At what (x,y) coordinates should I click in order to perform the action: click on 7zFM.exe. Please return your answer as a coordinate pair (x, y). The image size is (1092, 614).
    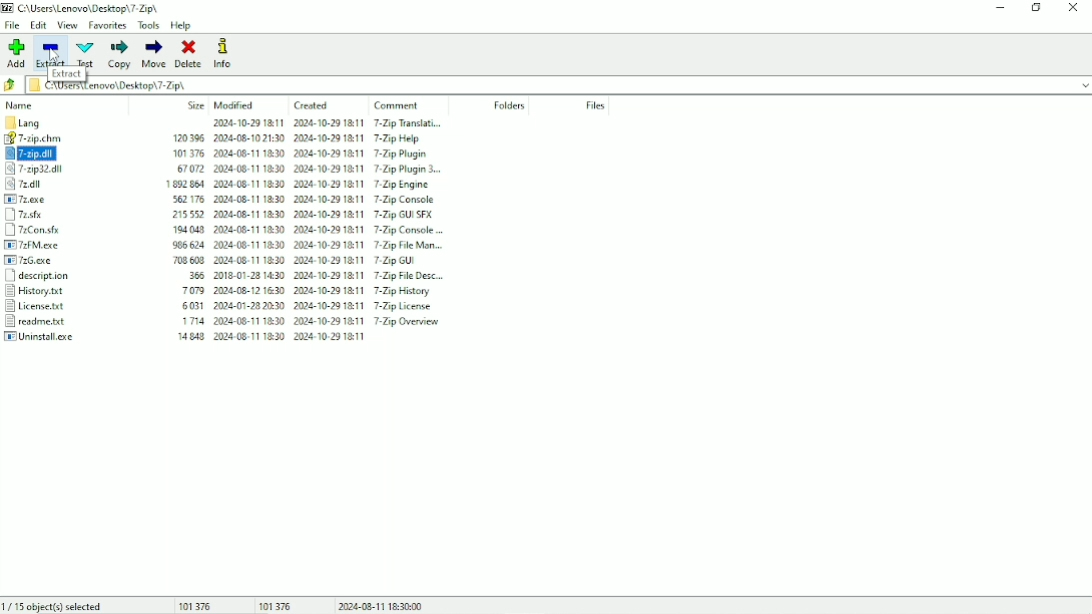
    Looking at the image, I should click on (63, 246).